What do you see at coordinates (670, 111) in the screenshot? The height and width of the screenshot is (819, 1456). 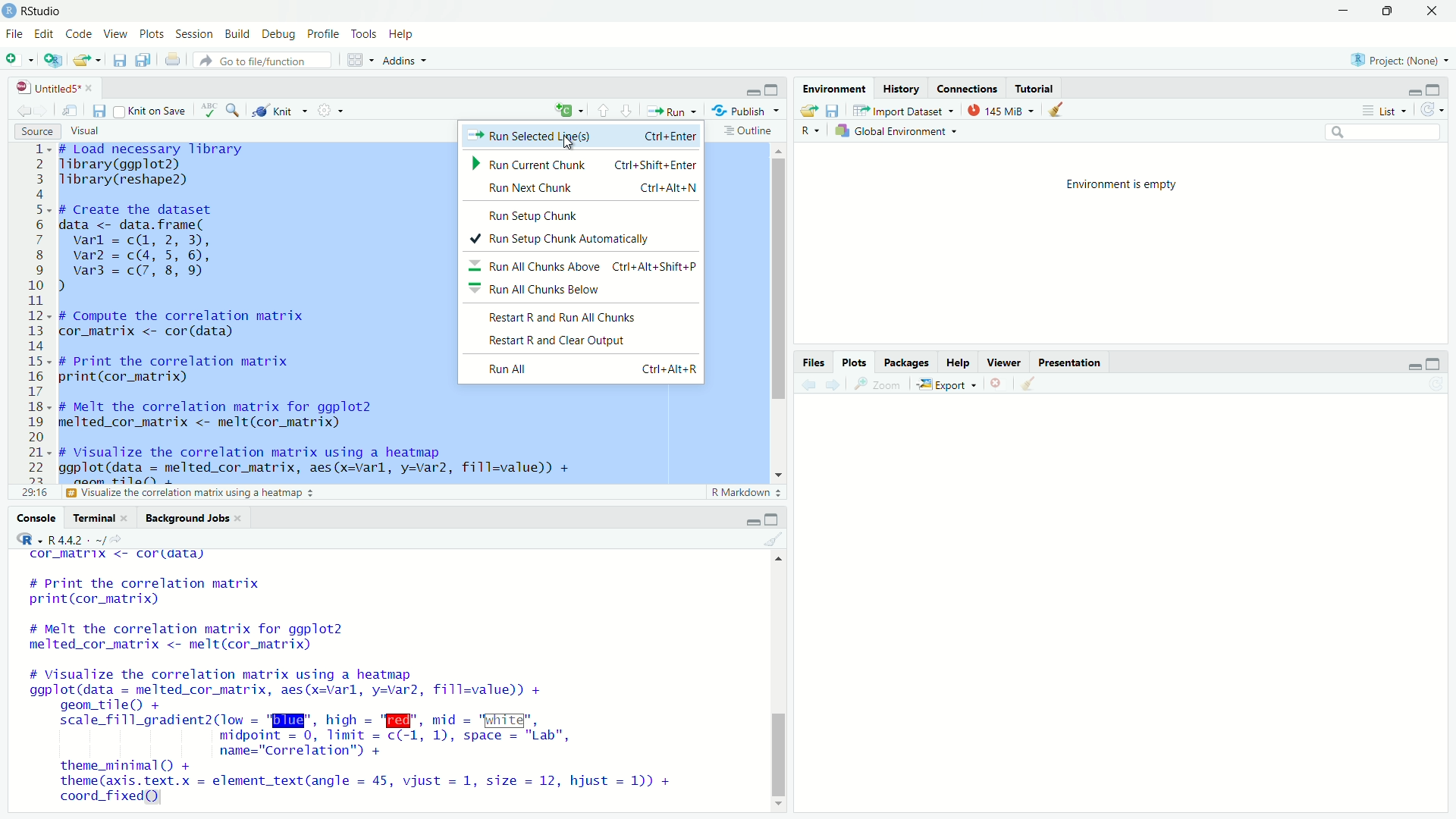 I see `run` at bounding box center [670, 111].